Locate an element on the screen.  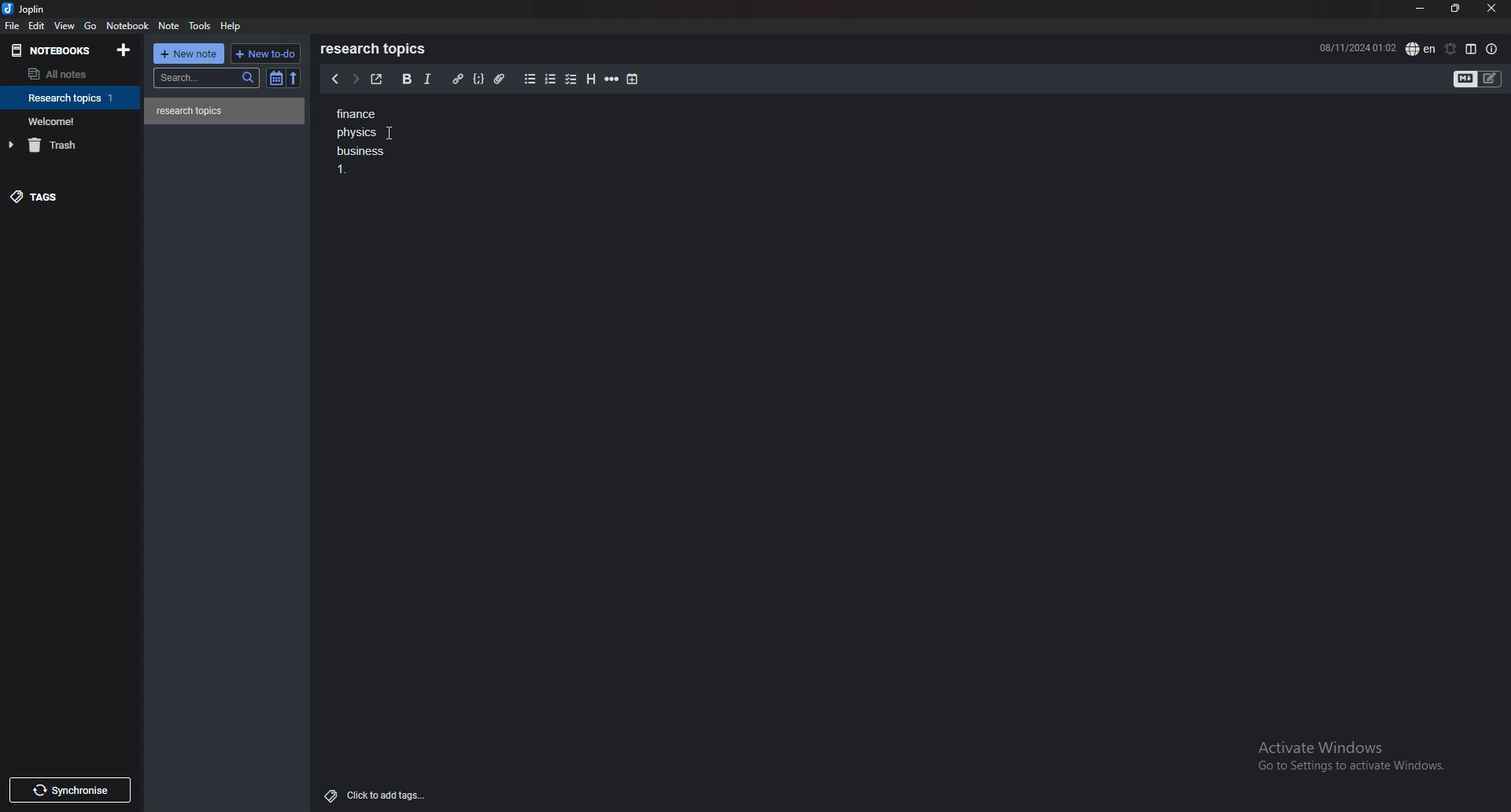
Synchronise is located at coordinates (73, 789).